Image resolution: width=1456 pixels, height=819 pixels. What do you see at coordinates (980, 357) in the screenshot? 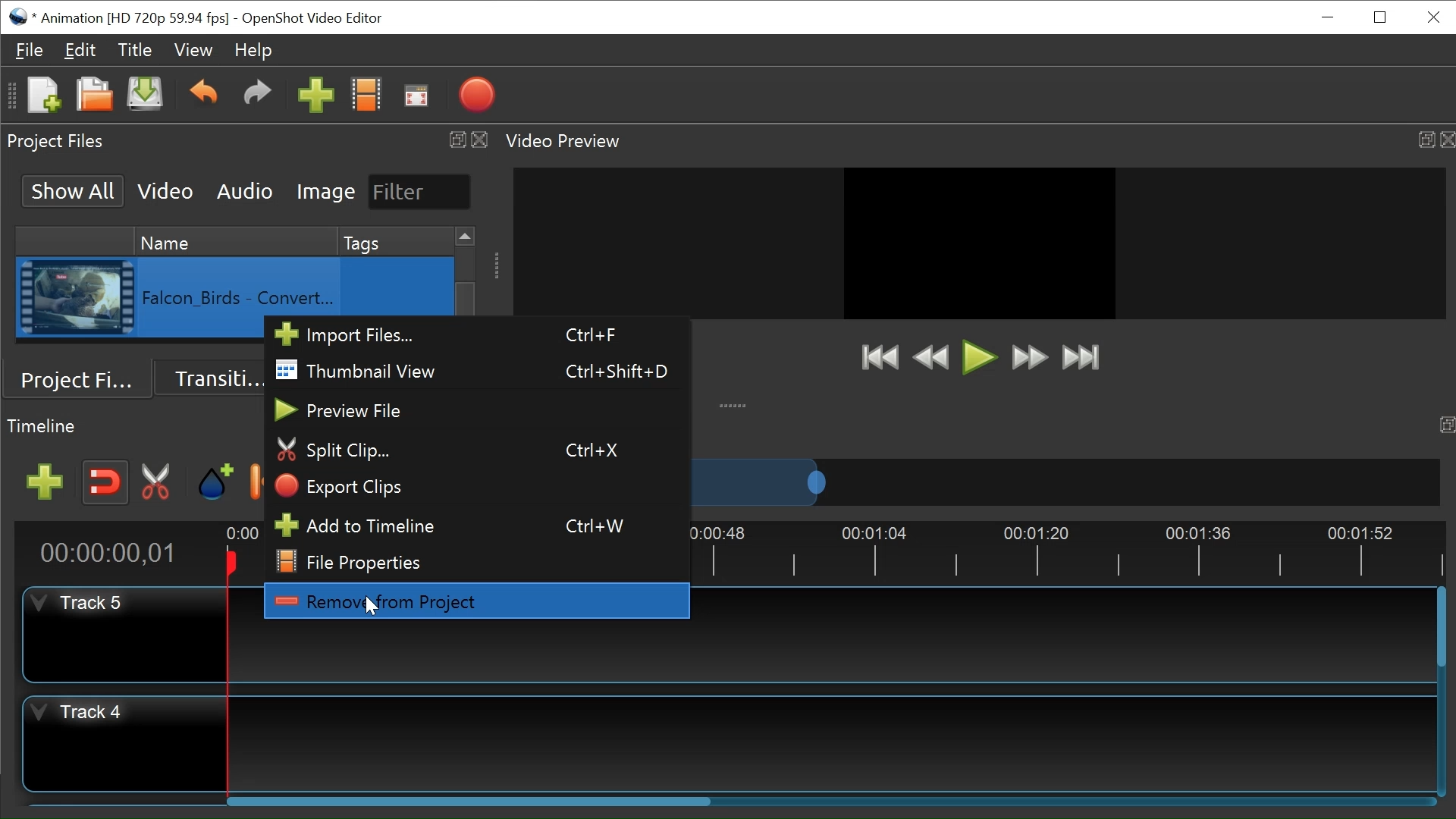
I see `Play` at bounding box center [980, 357].